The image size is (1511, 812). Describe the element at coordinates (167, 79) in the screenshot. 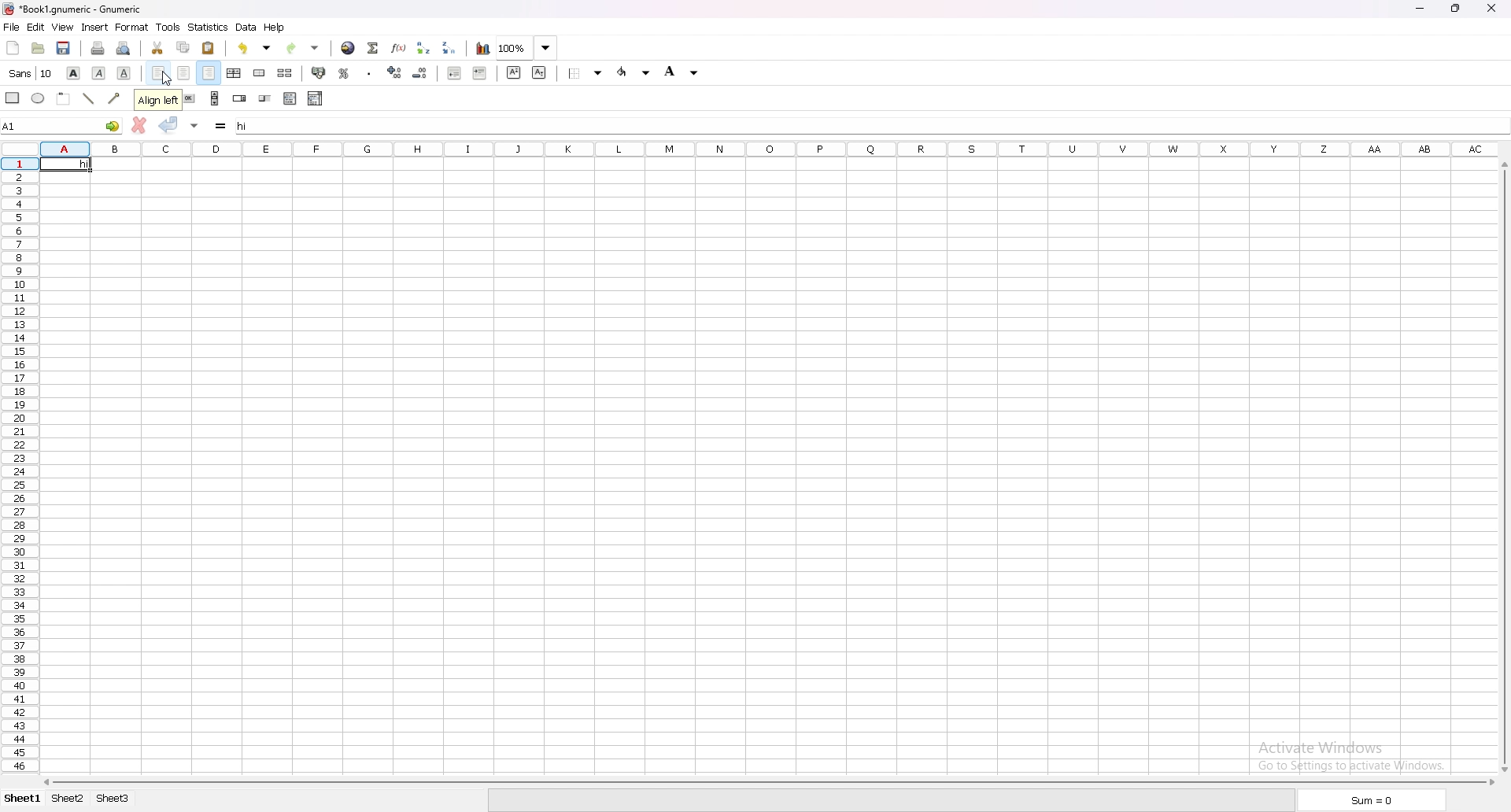

I see `cursor` at that location.